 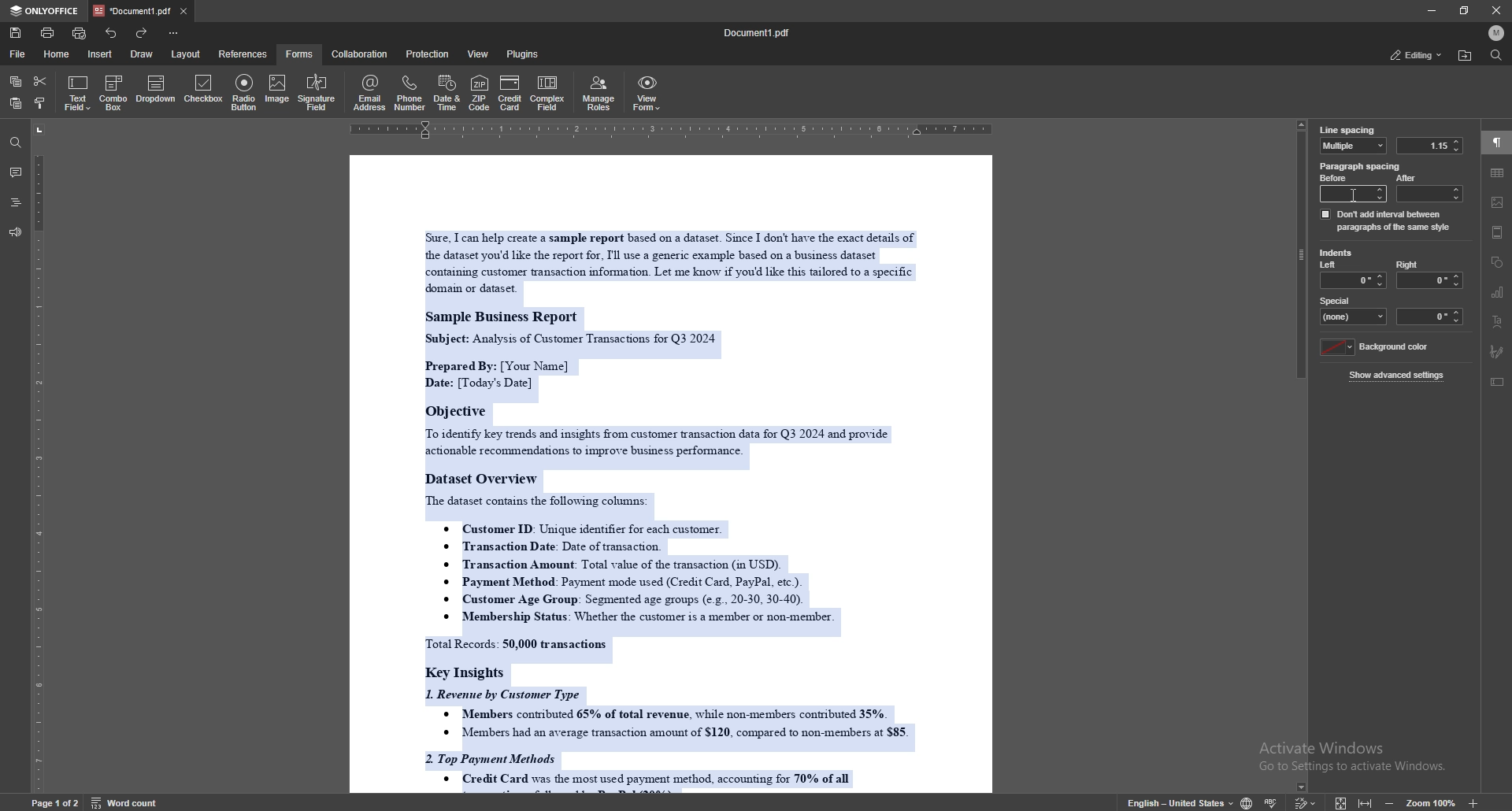 What do you see at coordinates (185, 54) in the screenshot?
I see `layout` at bounding box center [185, 54].